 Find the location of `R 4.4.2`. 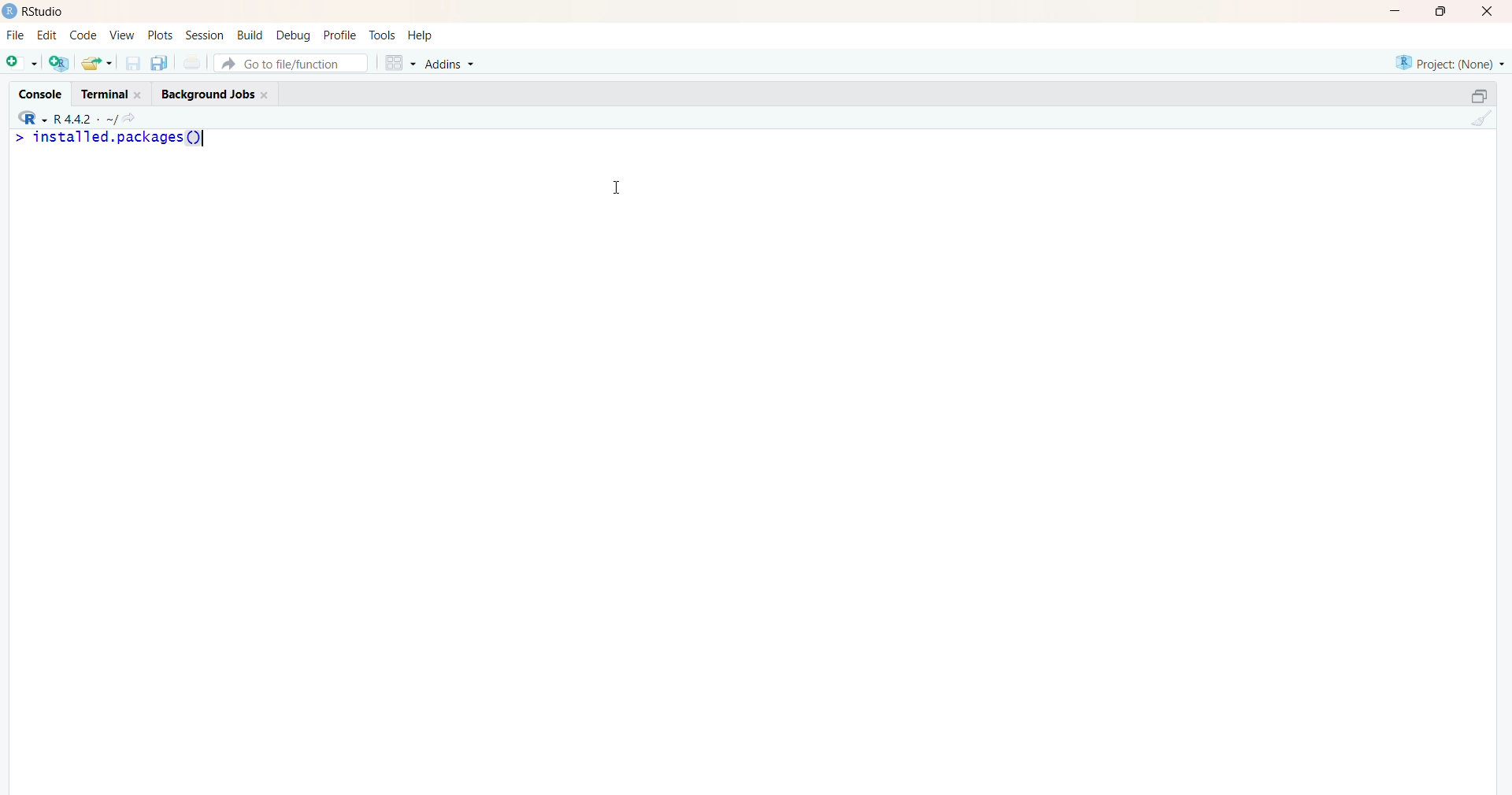

R 4.4.2 is located at coordinates (63, 119).